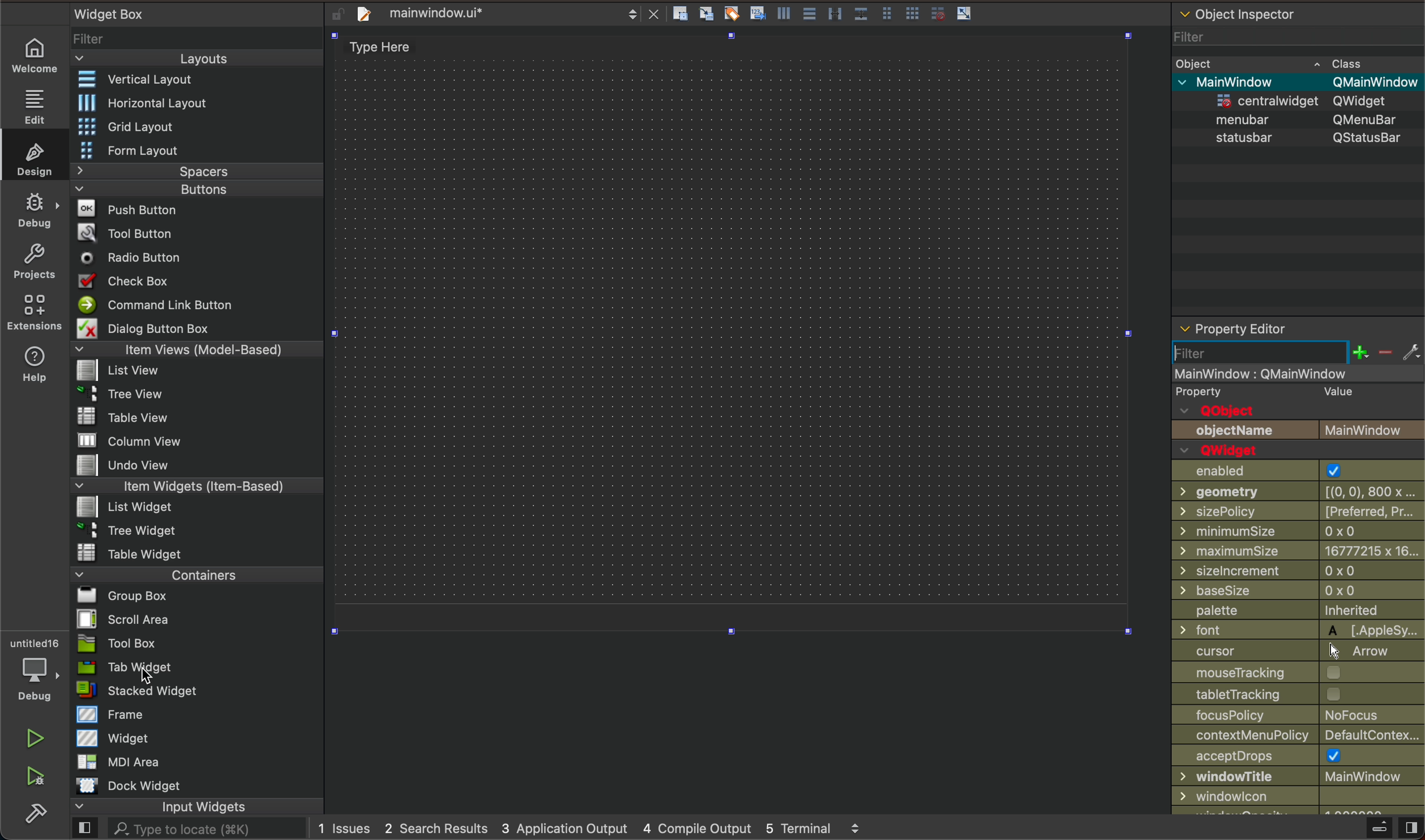 The height and width of the screenshot is (840, 1425). What do you see at coordinates (1299, 352) in the screenshot?
I see `filter section` at bounding box center [1299, 352].